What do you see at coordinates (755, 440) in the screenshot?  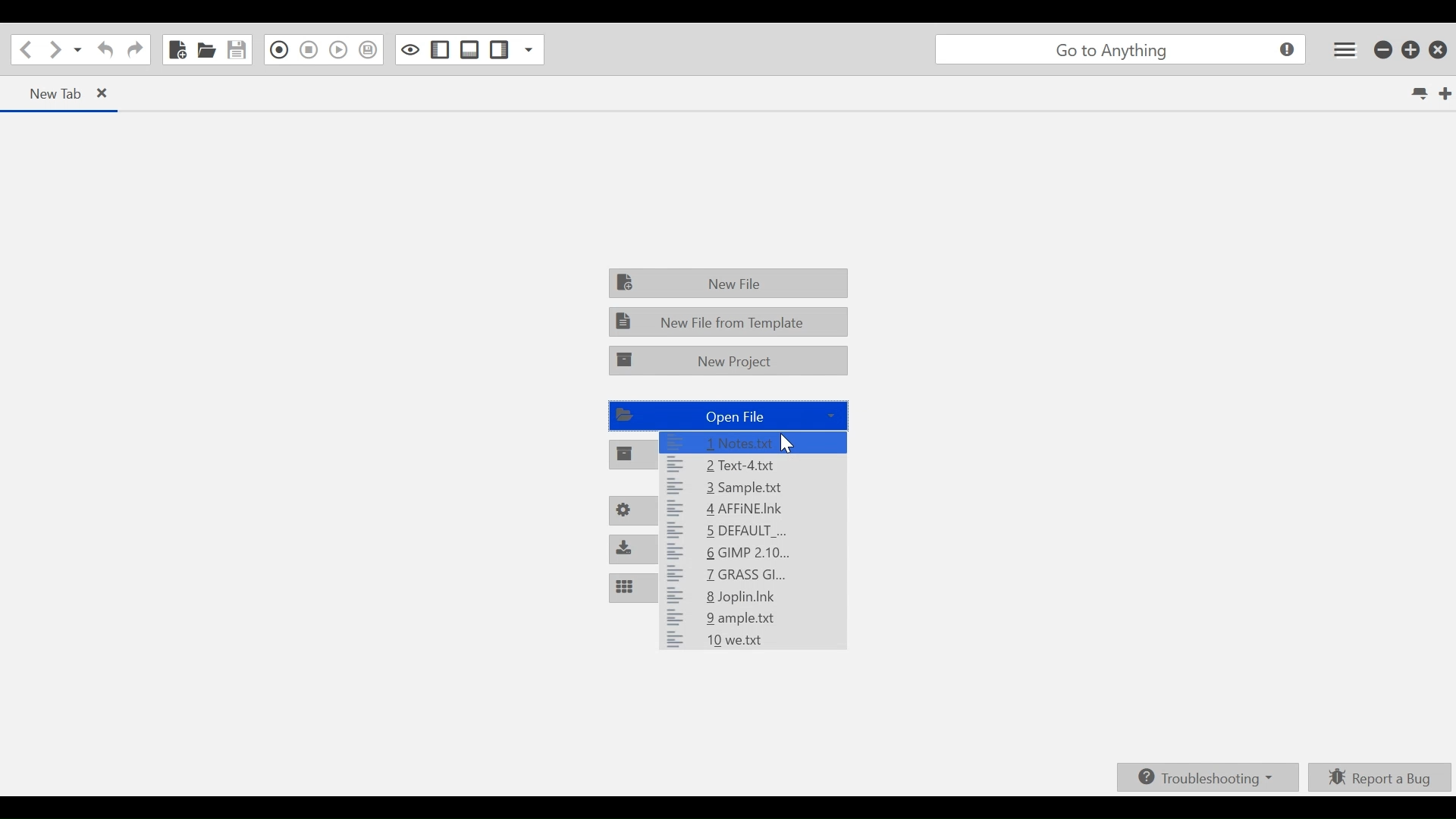 I see `1 notes.txt` at bounding box center [755, 440].